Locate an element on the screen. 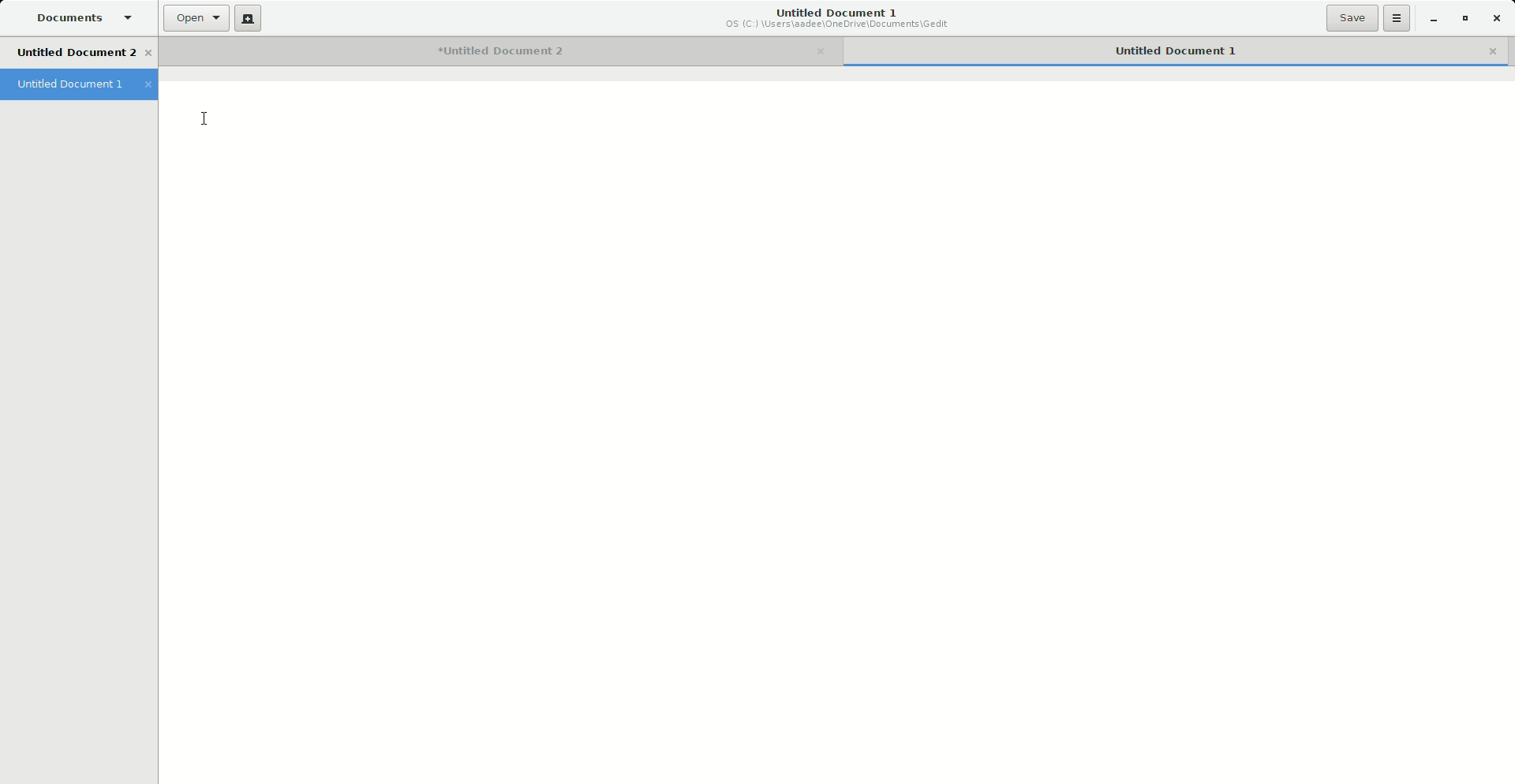 The width and height of the screenshot is (1515, 784). Save is located at coordinates (1352, 18).